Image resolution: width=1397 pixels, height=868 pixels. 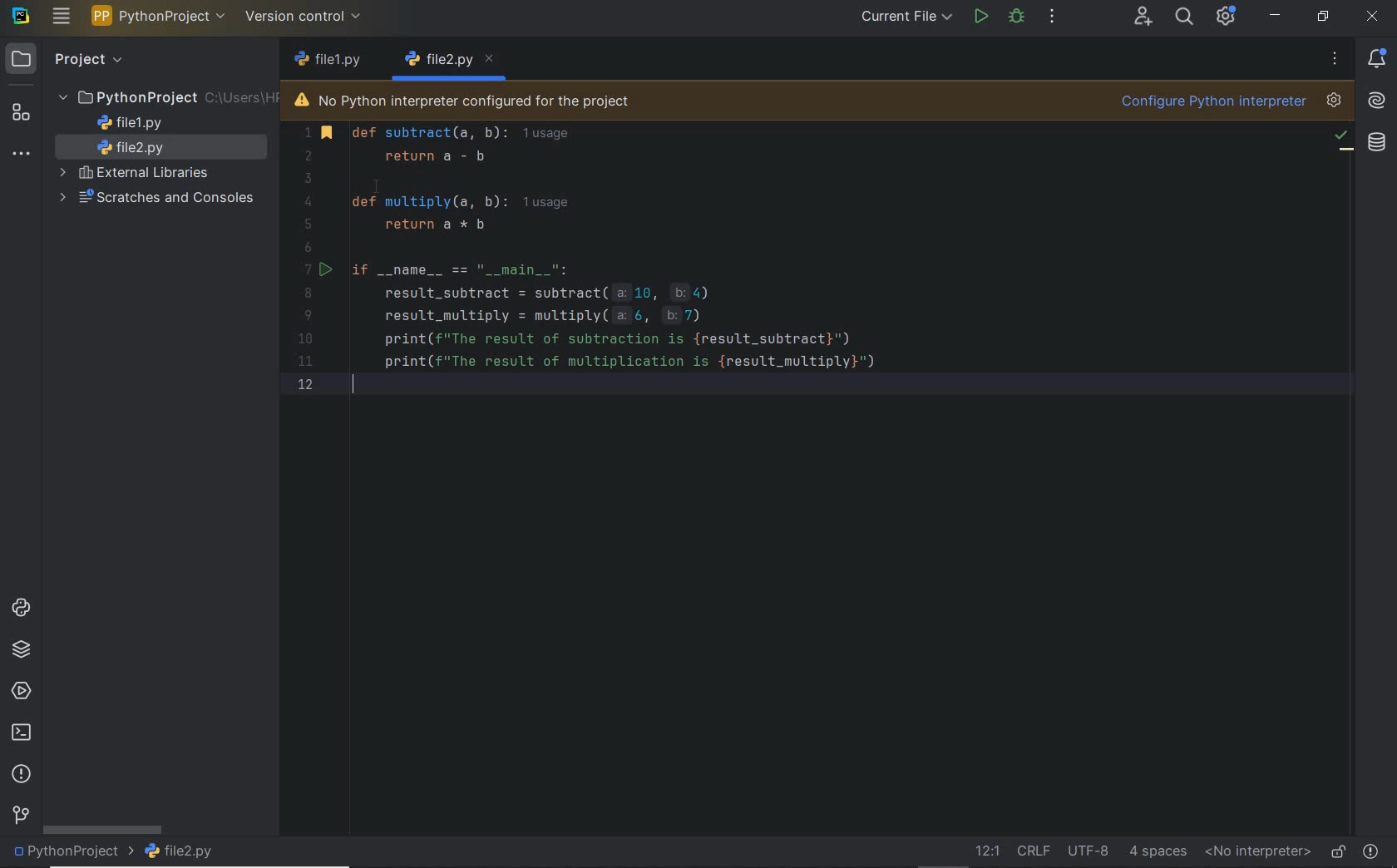 What do you see at coordinates (22, 156) in the screenshot?
I see `more tool windows` at bounding box center [22, 156].